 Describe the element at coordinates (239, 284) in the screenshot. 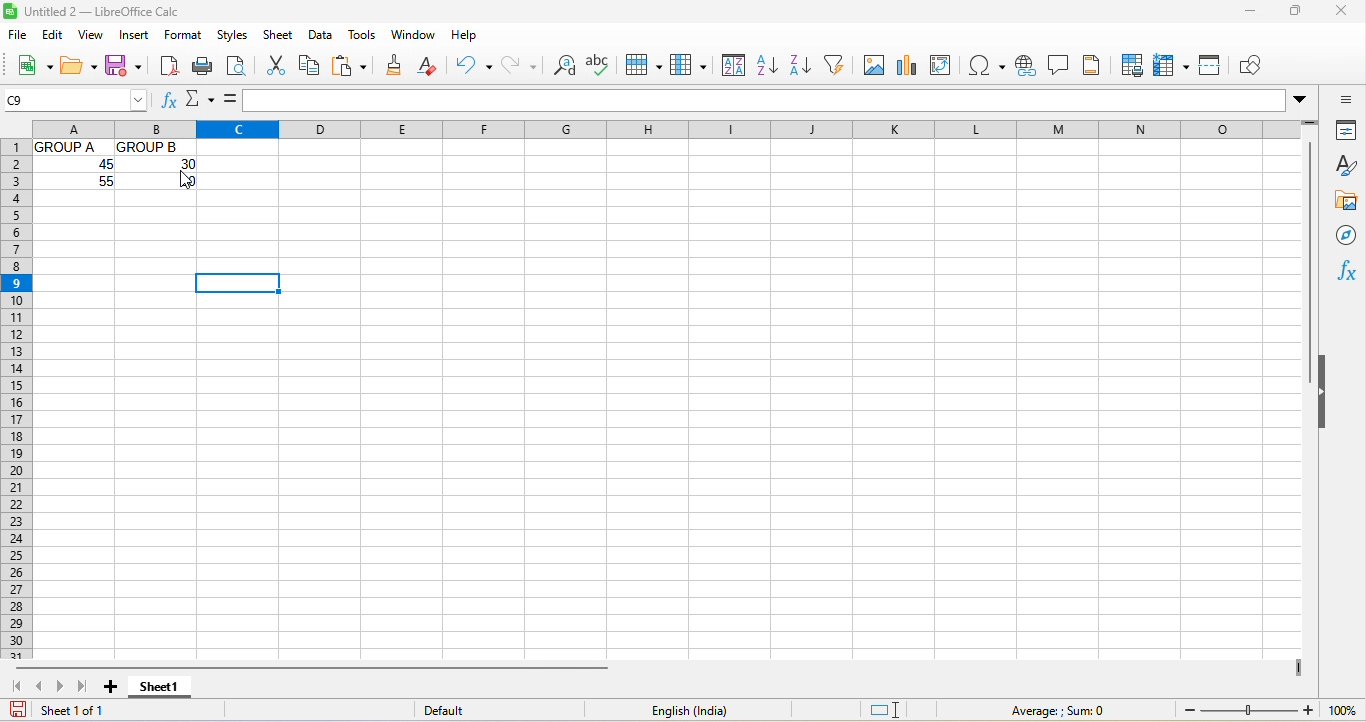

I see `selected cell` at that location.